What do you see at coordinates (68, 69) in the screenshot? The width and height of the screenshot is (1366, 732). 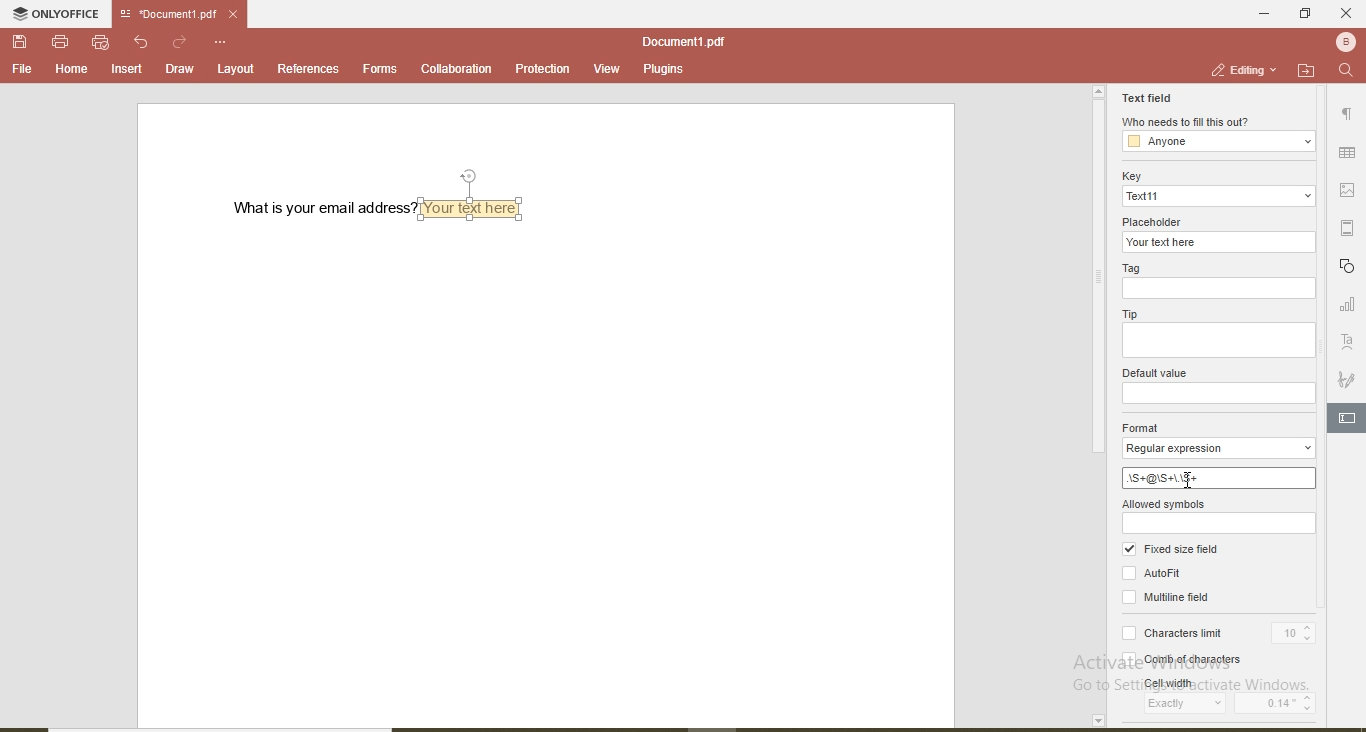 I see `home` at bounding box center [68, 69].